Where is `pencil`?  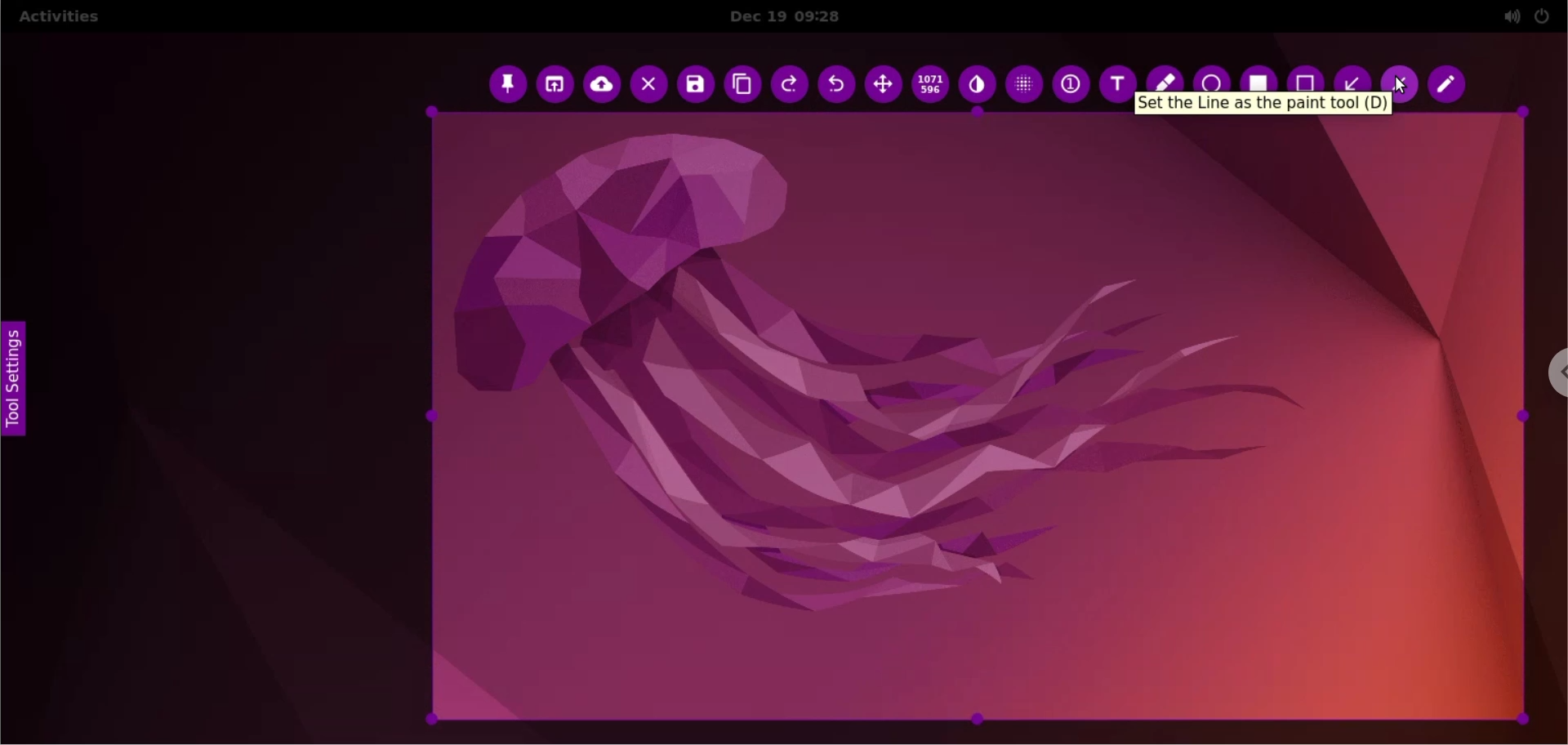 pencil is located at coordinates (1448, 85).